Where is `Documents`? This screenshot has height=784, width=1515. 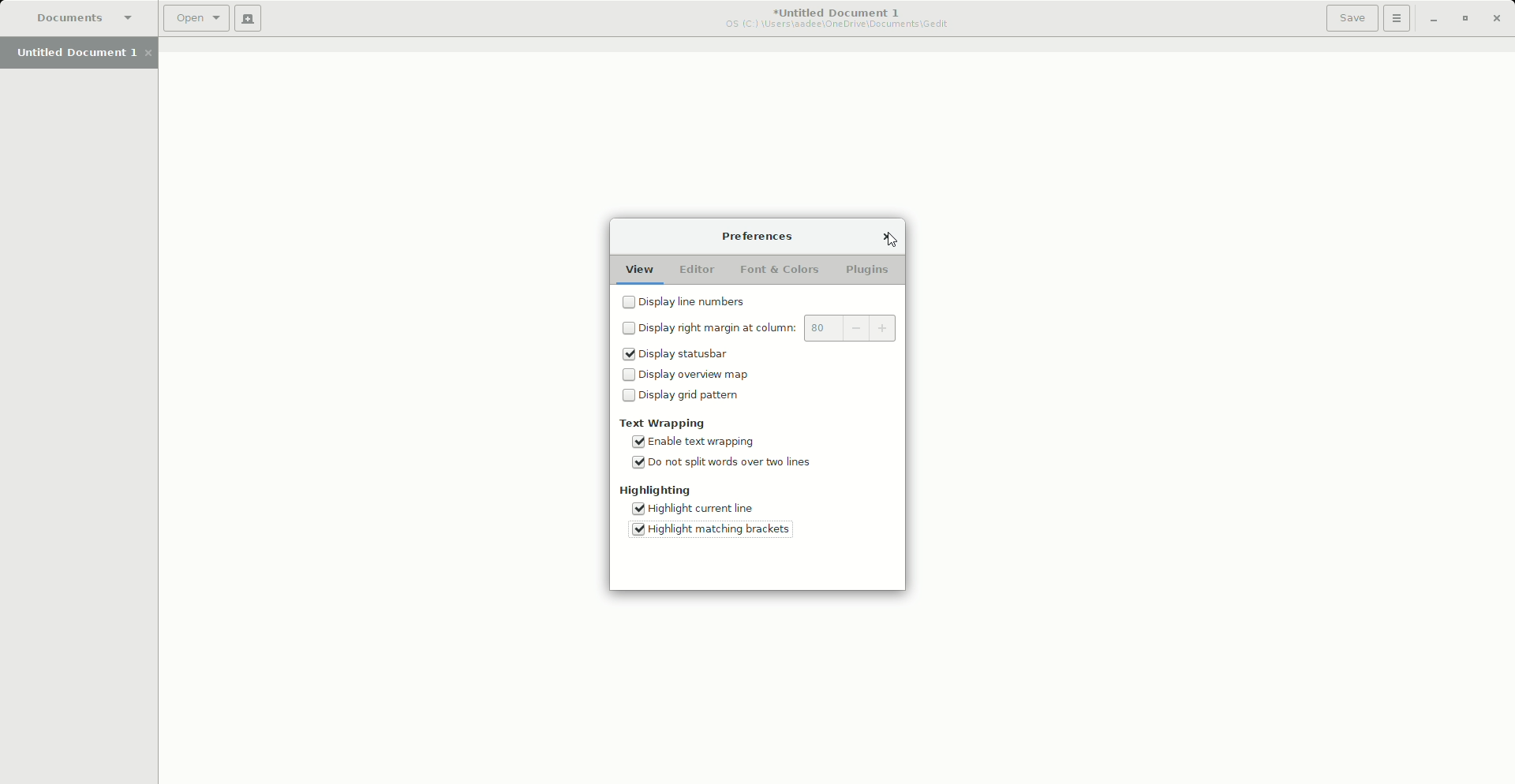 Documents is located at coordinates (77, 17).